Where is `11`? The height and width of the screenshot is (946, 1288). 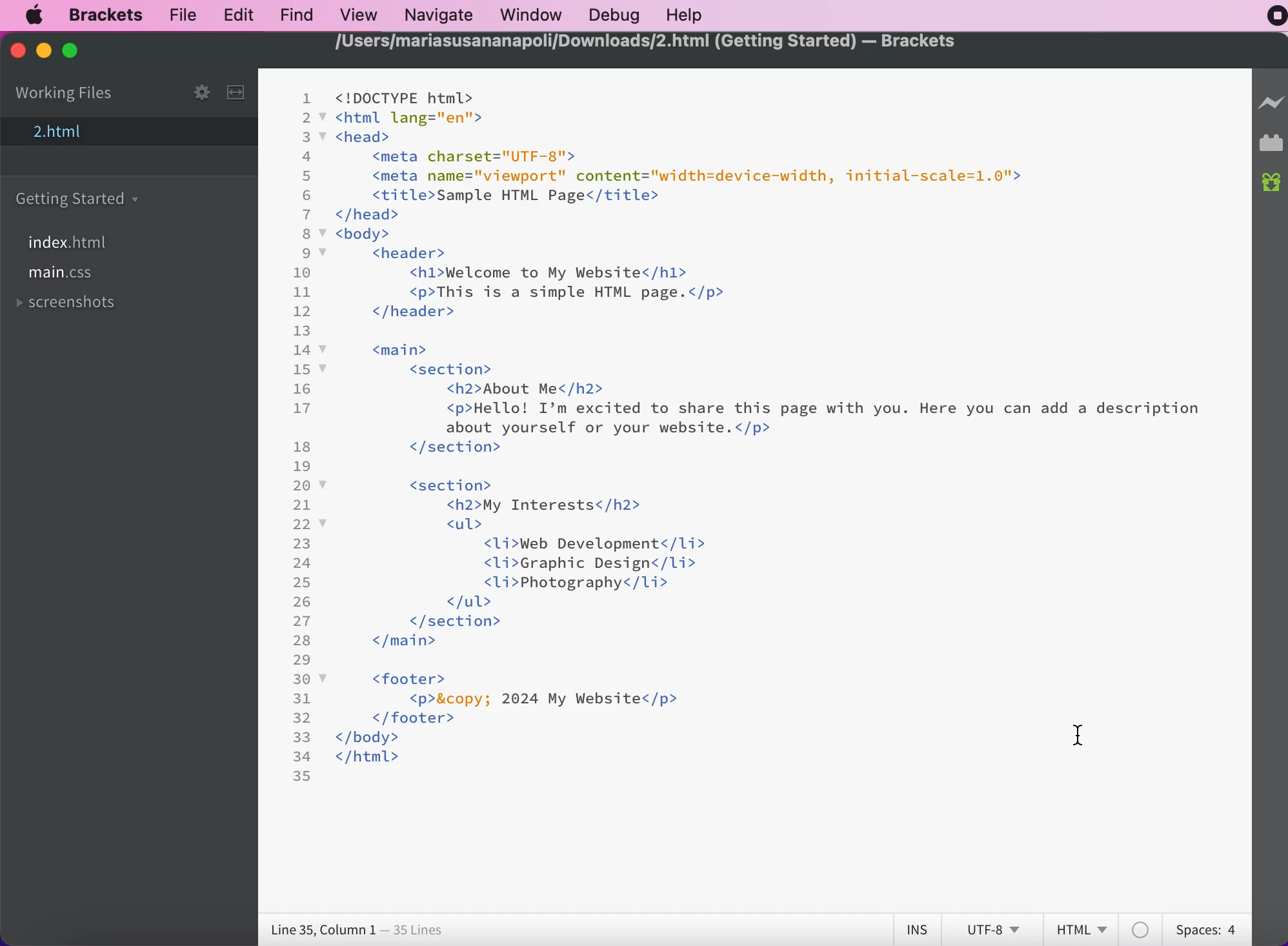 11 is located at coordinates (304, 292).